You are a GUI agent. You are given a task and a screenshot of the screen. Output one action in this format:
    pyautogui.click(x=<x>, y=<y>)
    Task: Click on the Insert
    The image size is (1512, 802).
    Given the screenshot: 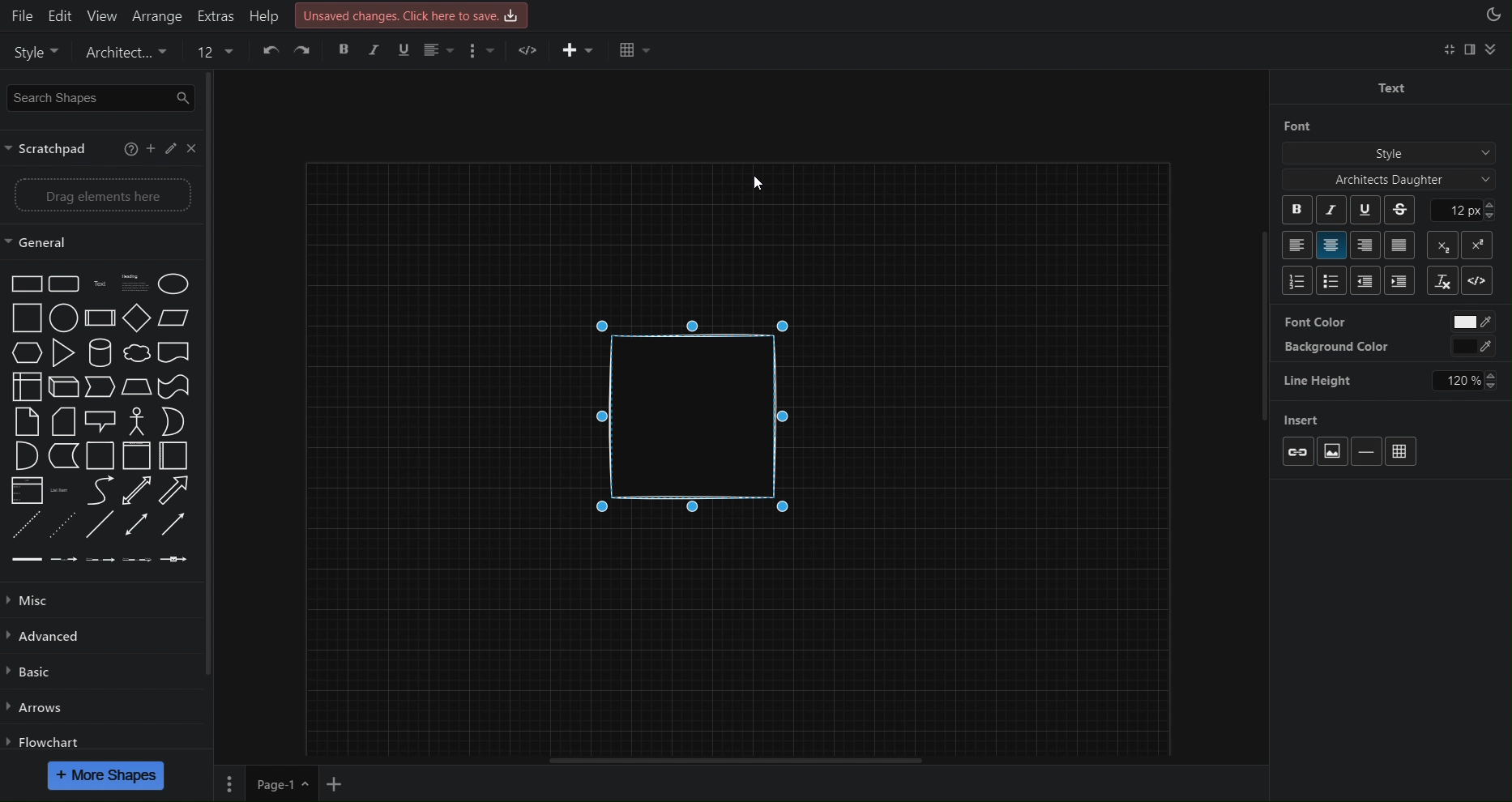 What is the action you would take?
    pyautogui.click(x=1320, y=421)
    